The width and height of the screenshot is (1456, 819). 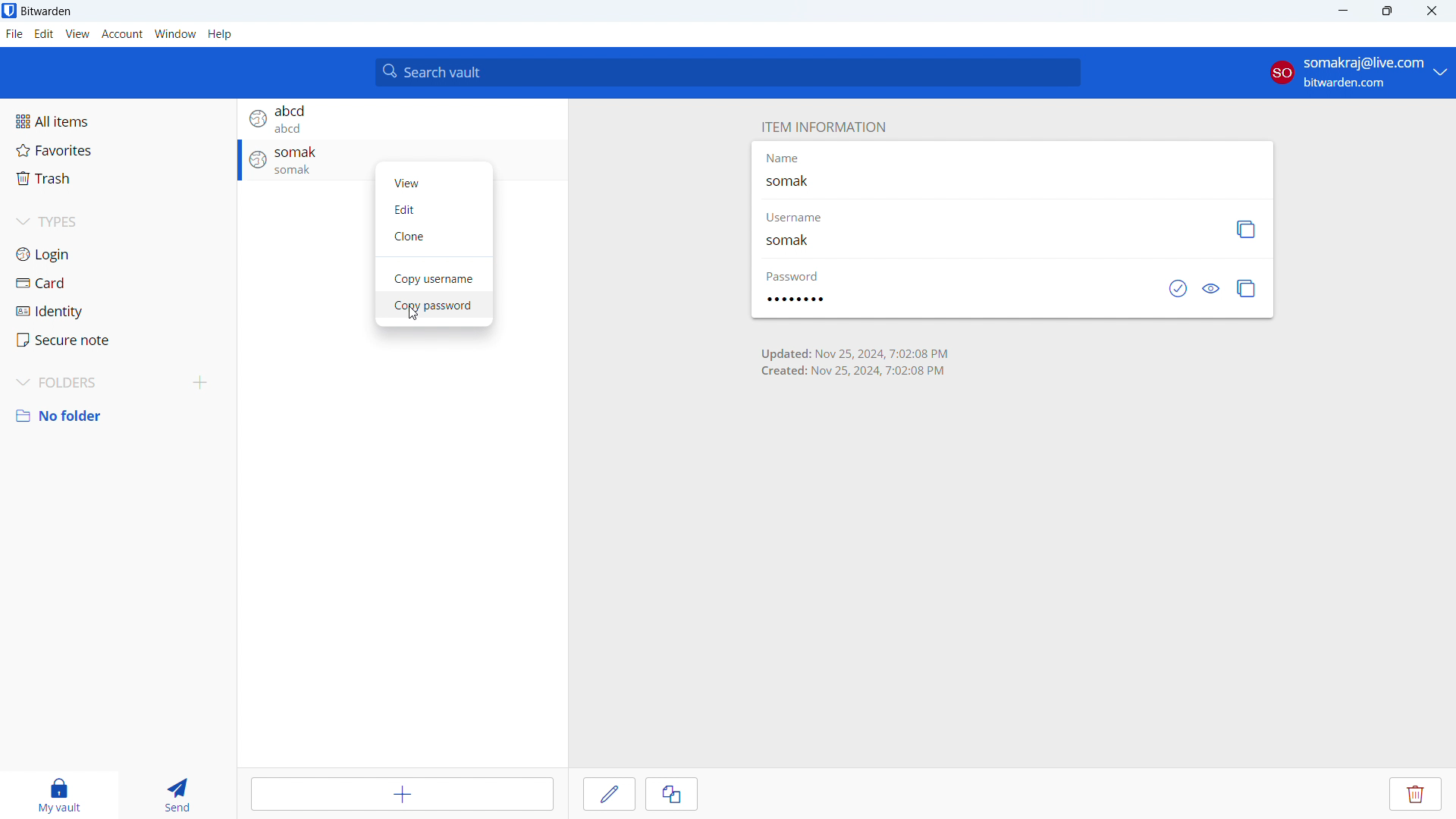 What do you see at coordinates (118, 149) in the screenshot?
I see `favorites` at bounding box center [118, 149].